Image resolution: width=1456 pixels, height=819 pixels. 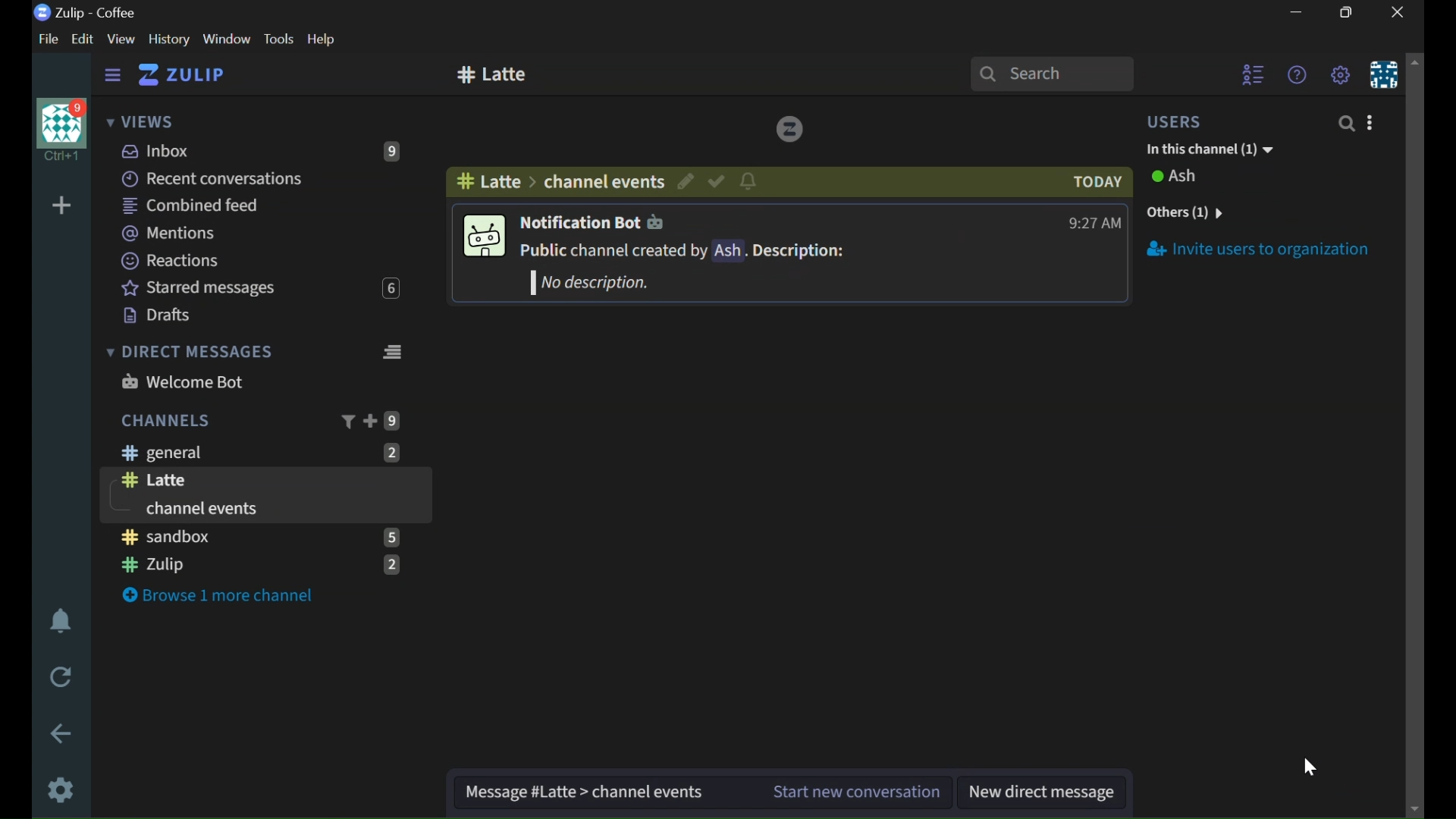 I want to click on HISTORY, so click(x=170, y=39).